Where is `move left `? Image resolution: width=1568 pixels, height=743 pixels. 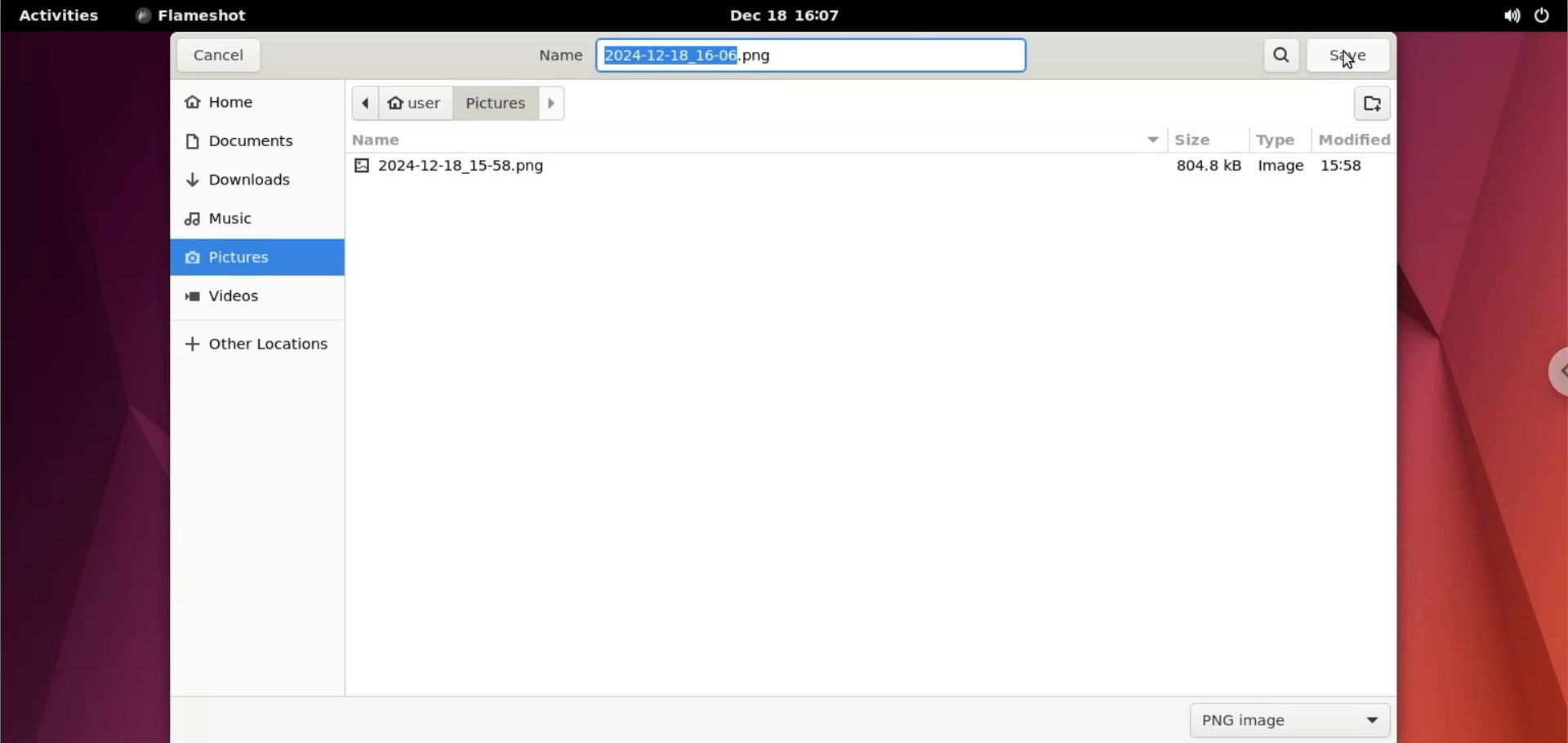
move left  is located at coordinates (369, 104).